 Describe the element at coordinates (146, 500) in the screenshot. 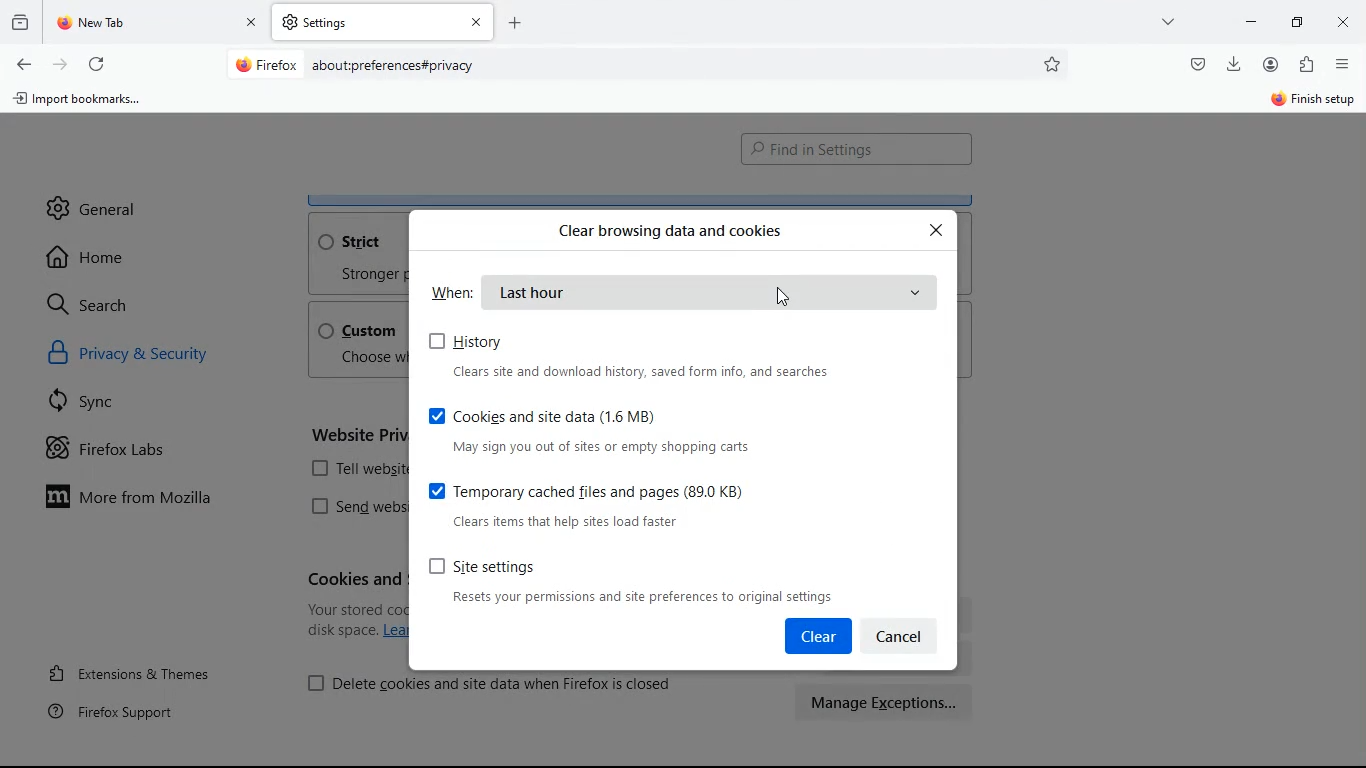

I see `more from mozilla` at that location.